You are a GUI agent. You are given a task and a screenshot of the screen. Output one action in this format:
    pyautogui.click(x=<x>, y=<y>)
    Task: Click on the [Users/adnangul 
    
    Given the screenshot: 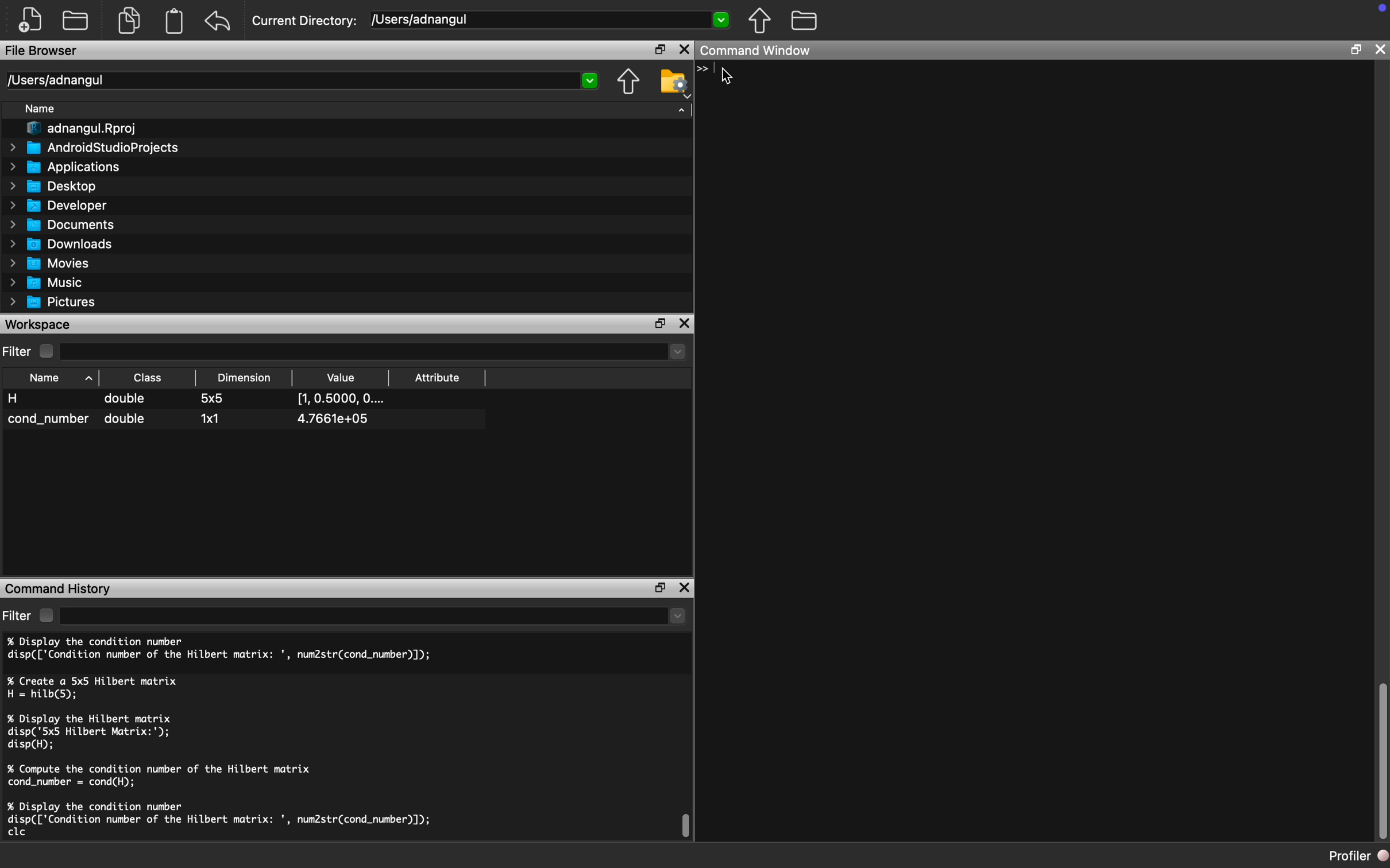 What is the action you would take?
    pyautogui.click(x=550, y=22)
    